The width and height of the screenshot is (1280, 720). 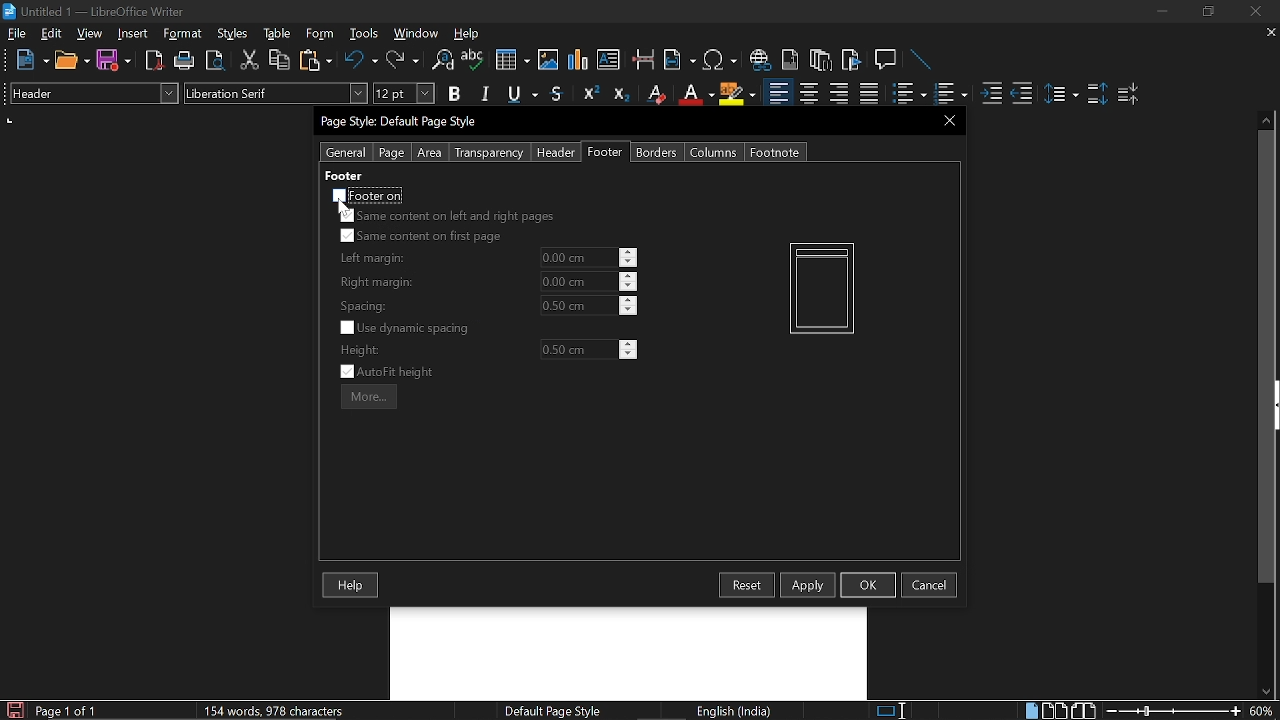 What do you see at coordinates (895, 711) in the screenshot?
I see `Standard seleciton` at bounding box center [895, 711].